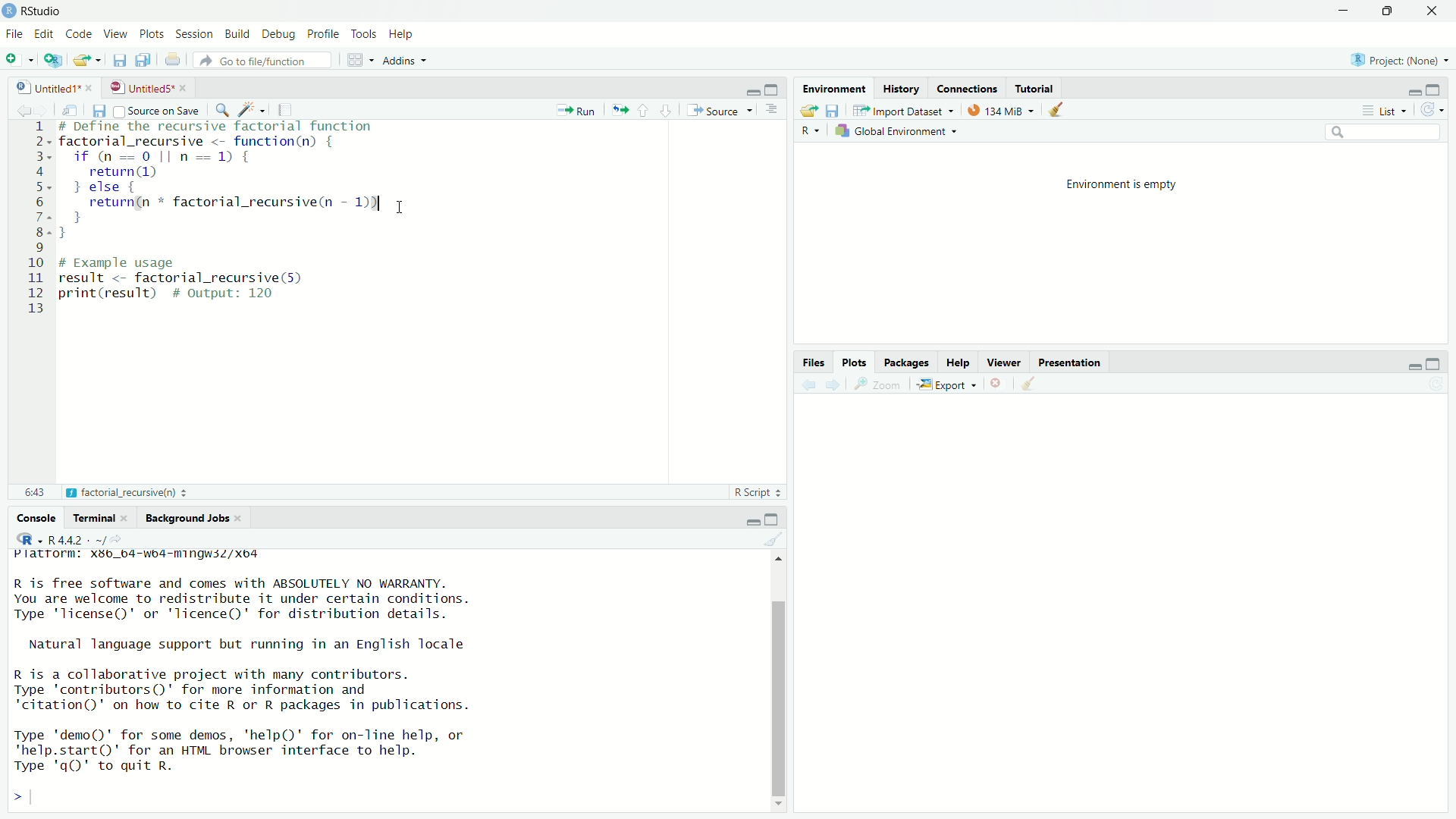 The height and width of the screenshot is (819, 1456). Describe the element at coordinates (103, 518) in the screenshot. I see `Terminal` at that location.